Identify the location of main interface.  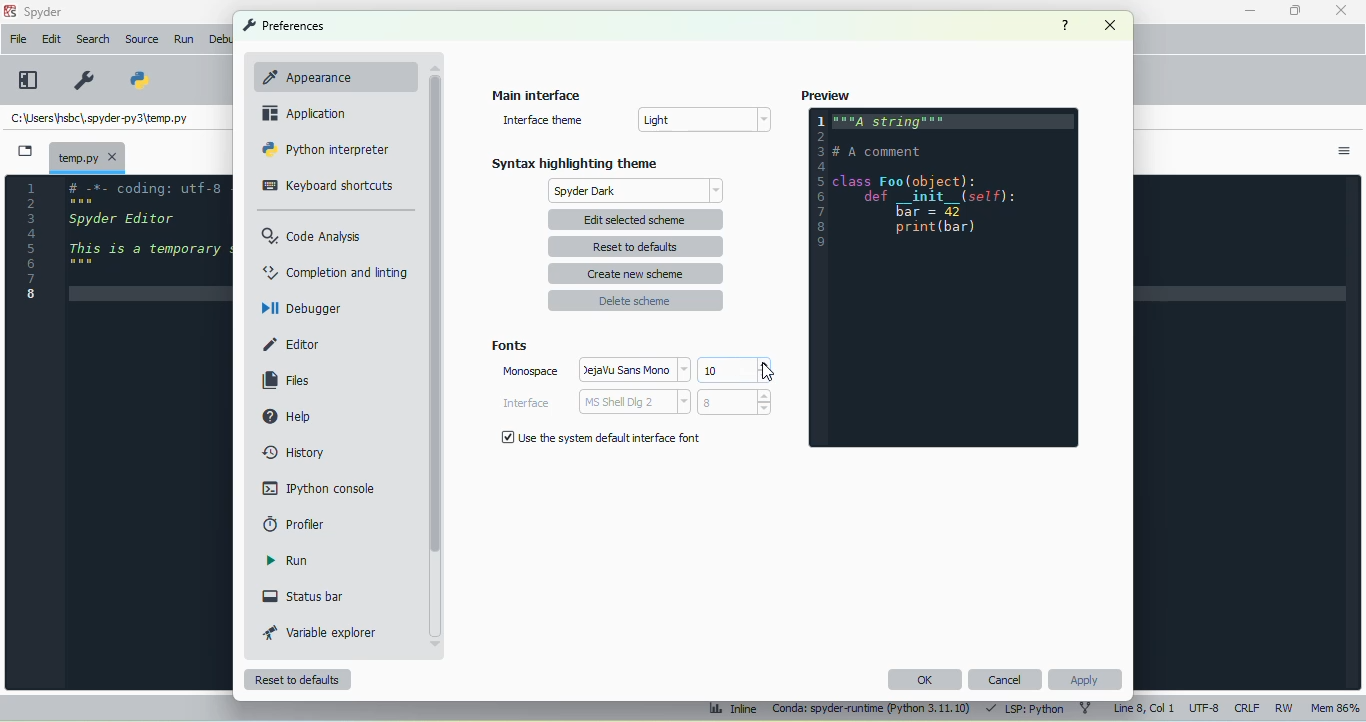
(537, 94).